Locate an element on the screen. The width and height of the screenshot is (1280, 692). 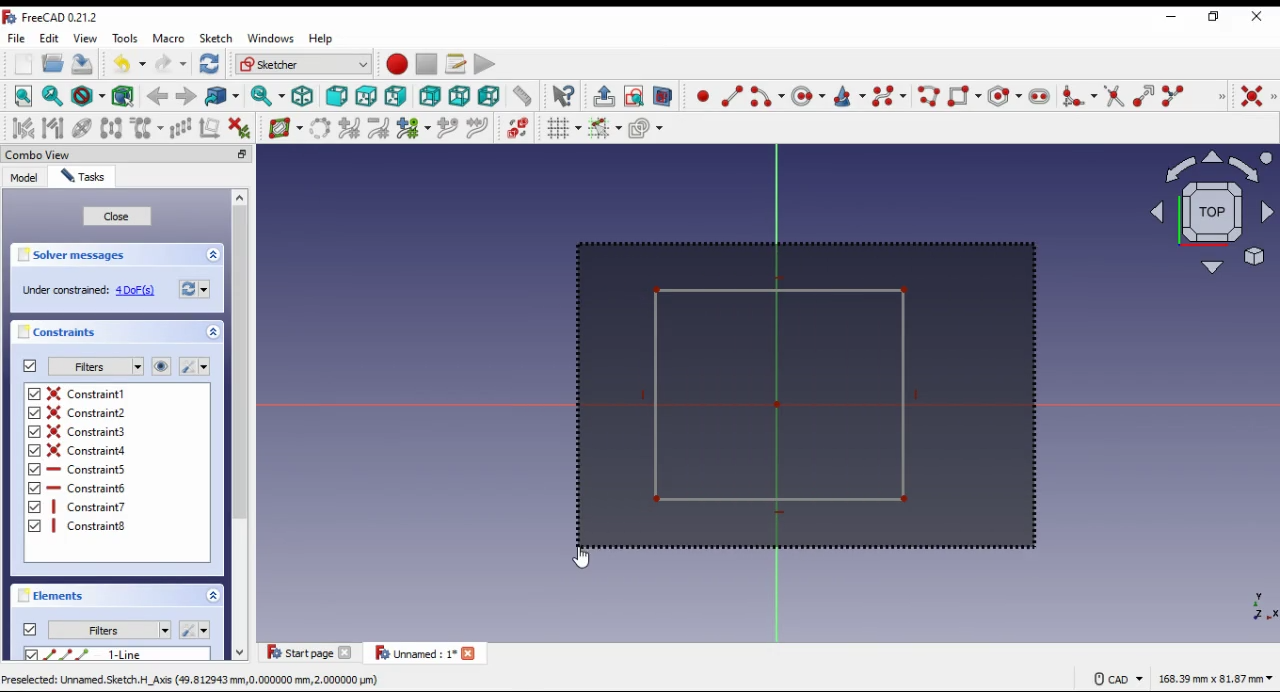
on/off constraints is located at coordinates (31, 366).